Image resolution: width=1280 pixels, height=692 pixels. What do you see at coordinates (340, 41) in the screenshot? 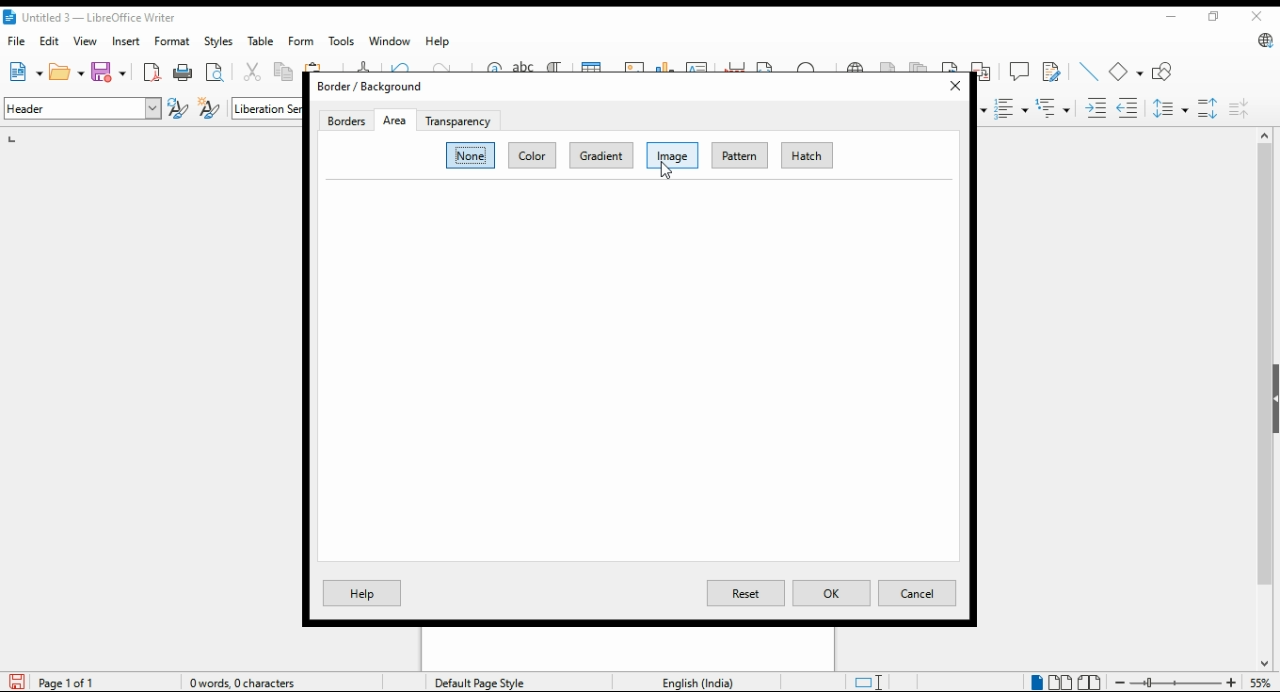
I see `tools` at bounding box center [340, 41].